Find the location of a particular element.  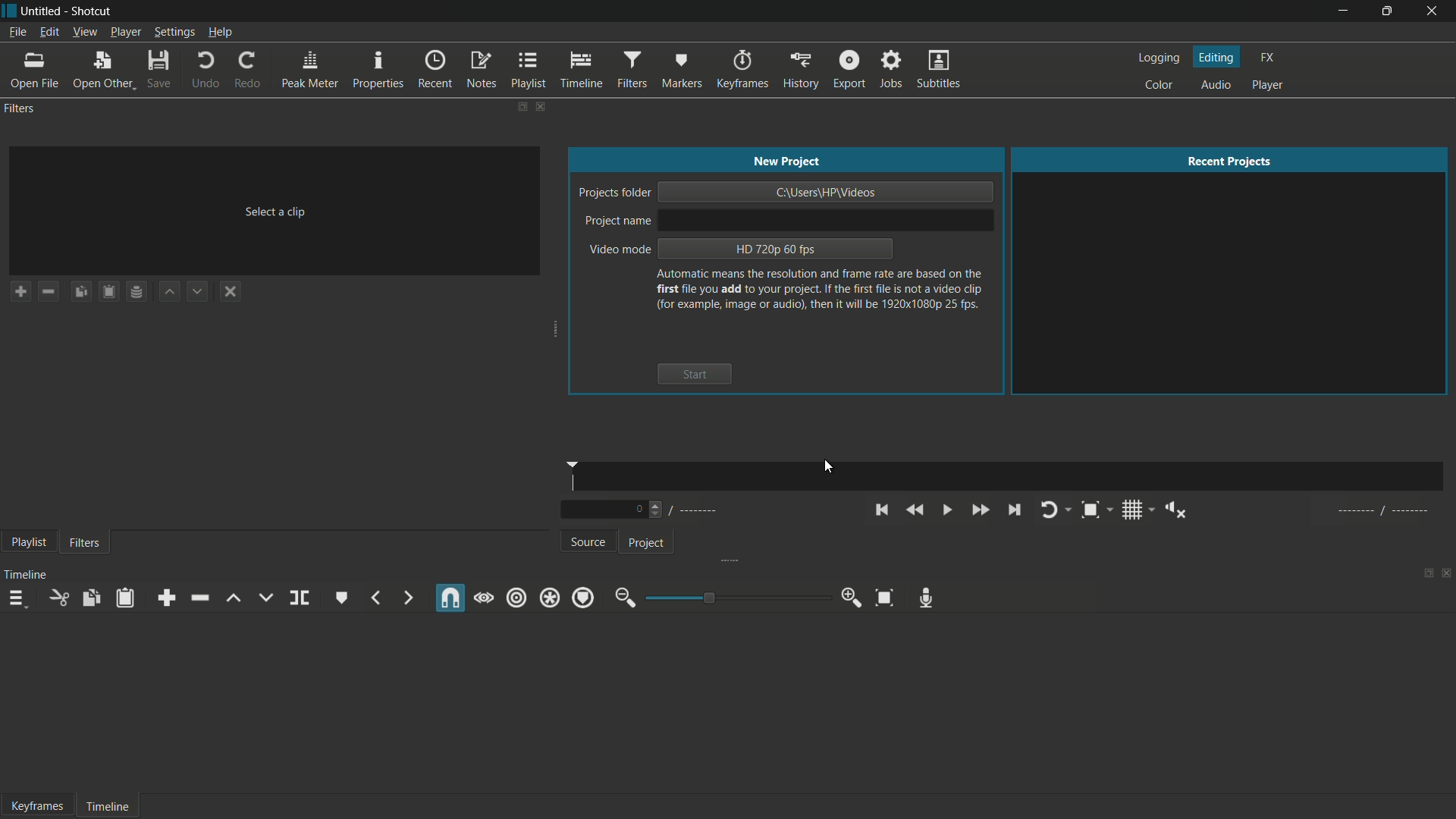

open file is located at coordinates (34, 71).